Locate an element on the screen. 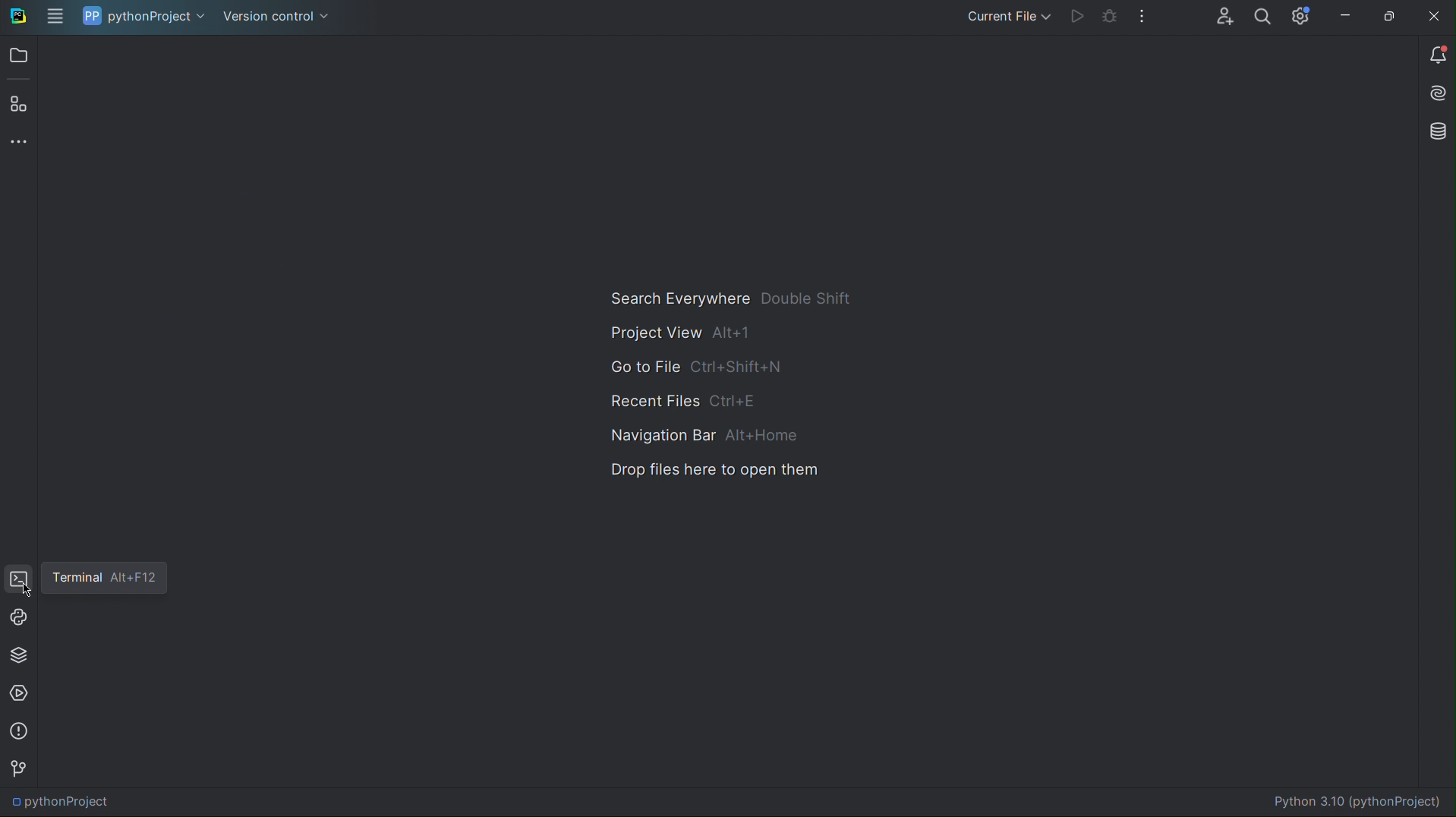 Image resolution: width=1456 pixels, height=817 pixels. Search Everywhere is located at coordinates (733, 294).